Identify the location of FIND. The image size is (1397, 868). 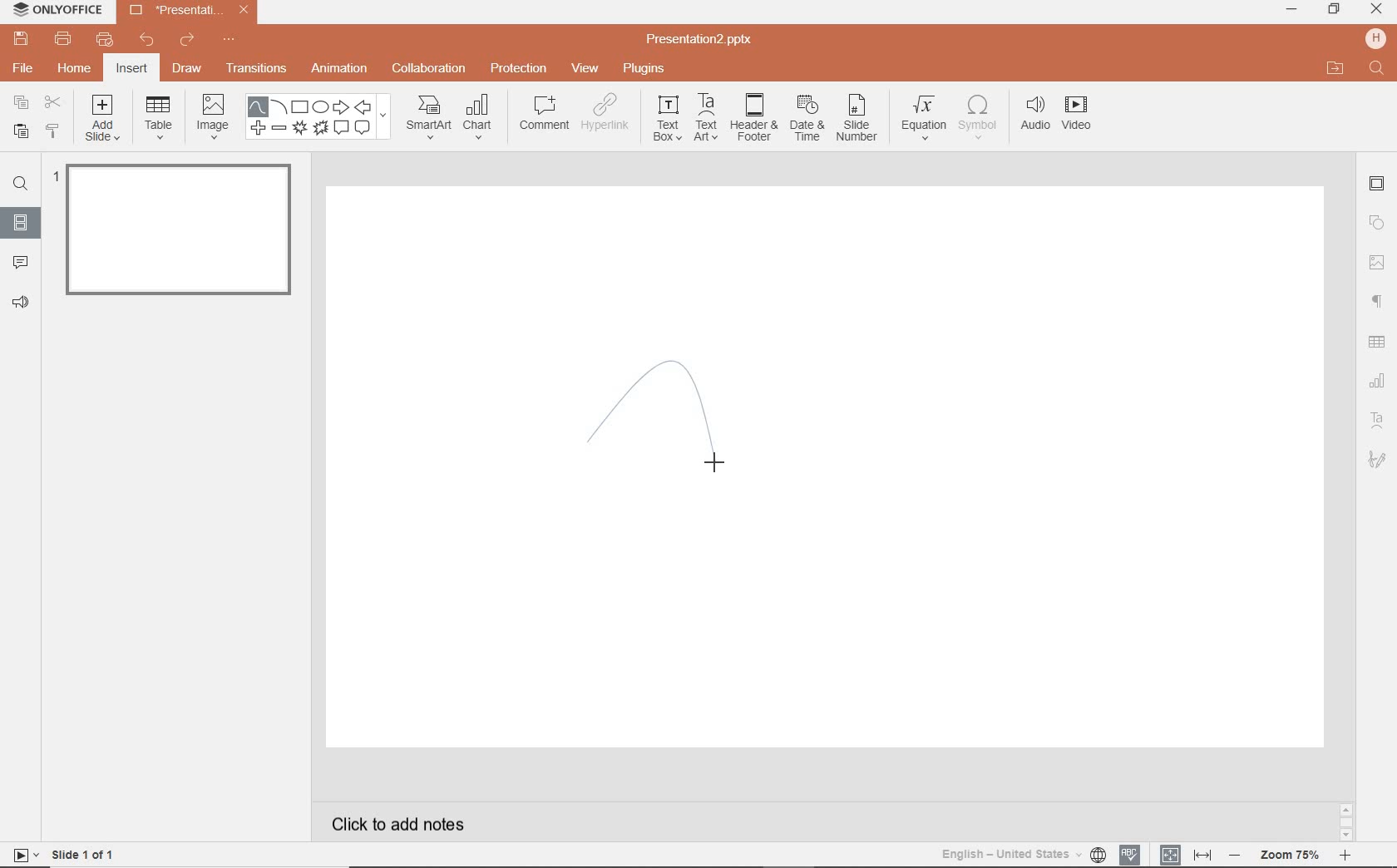
(23, 184).